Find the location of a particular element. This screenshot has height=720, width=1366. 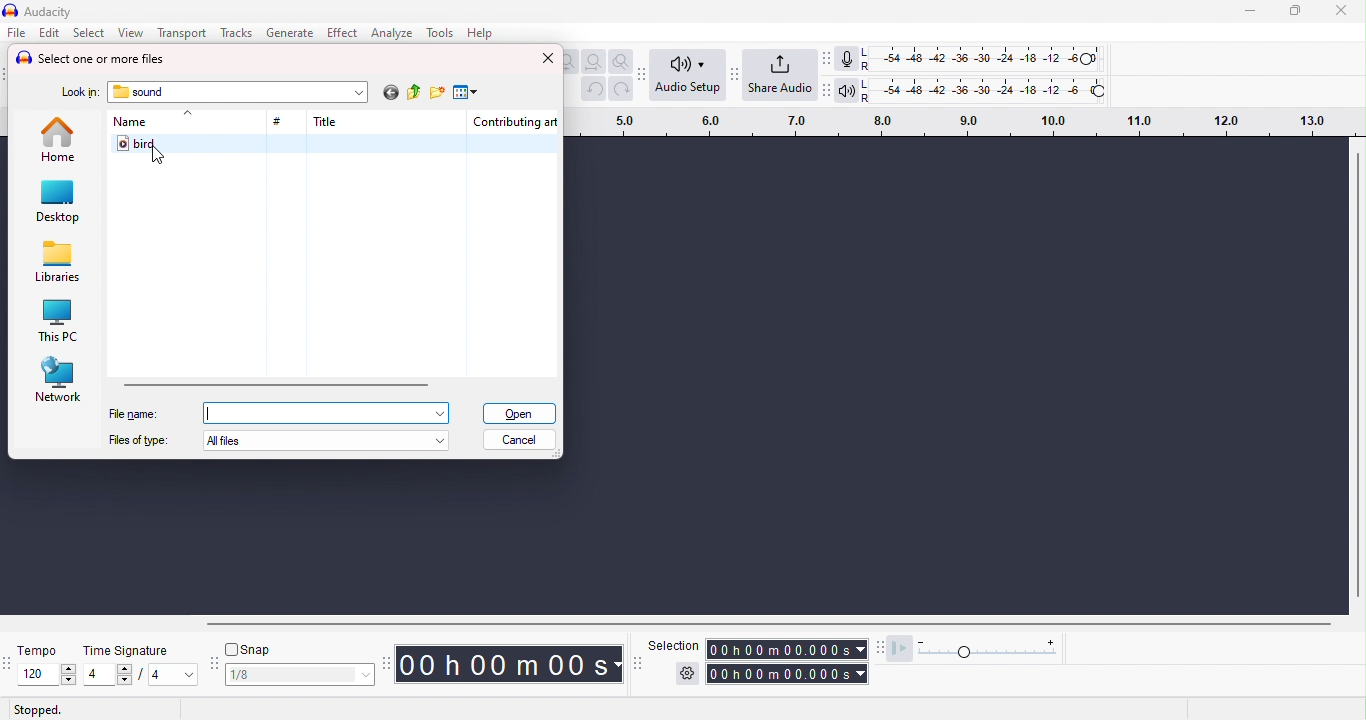

select is located at coordinates (91, 33).